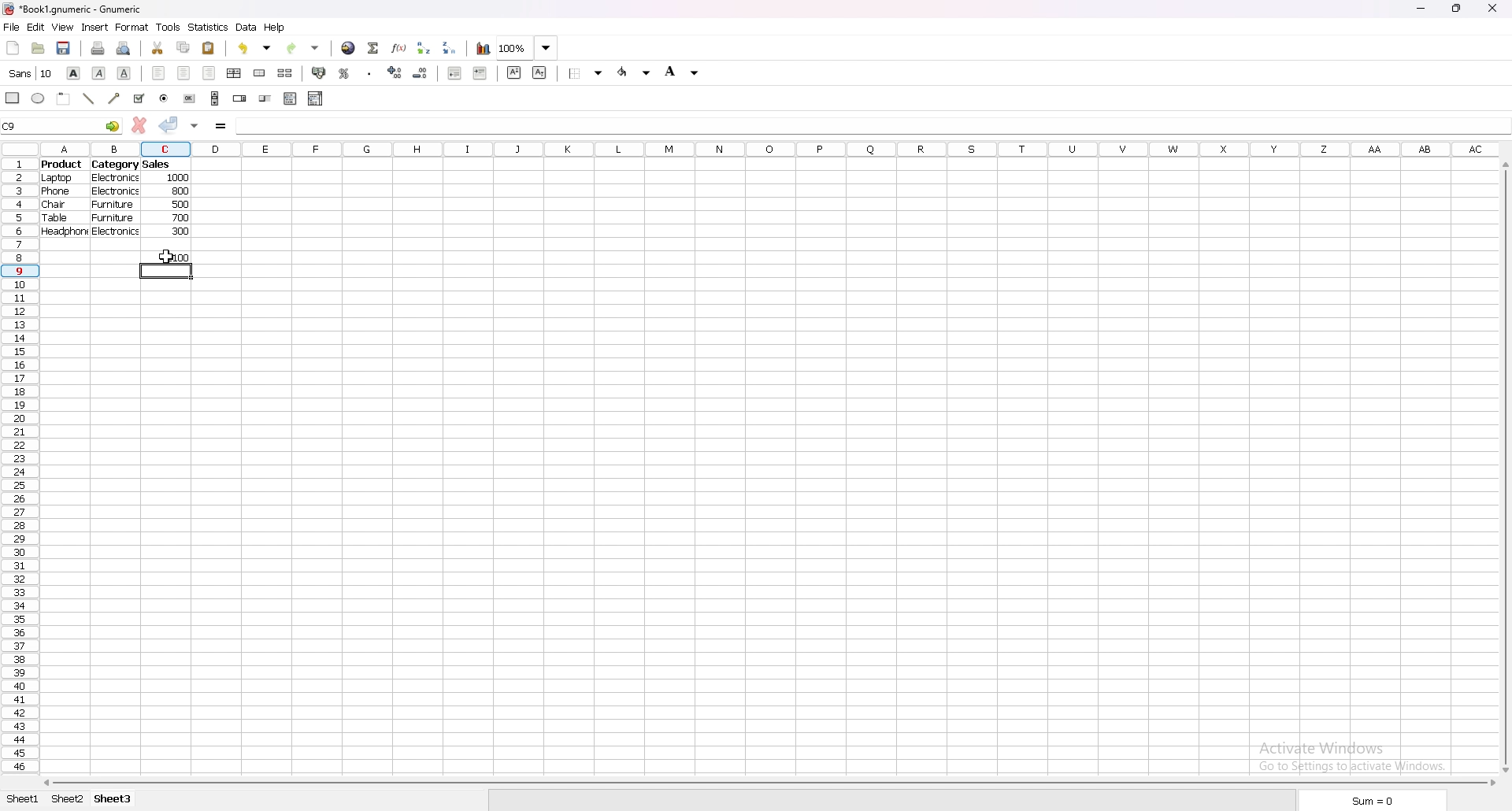 This screenshot has height=811, width=1512. I want to click on thousands separator, so click(368, 73).